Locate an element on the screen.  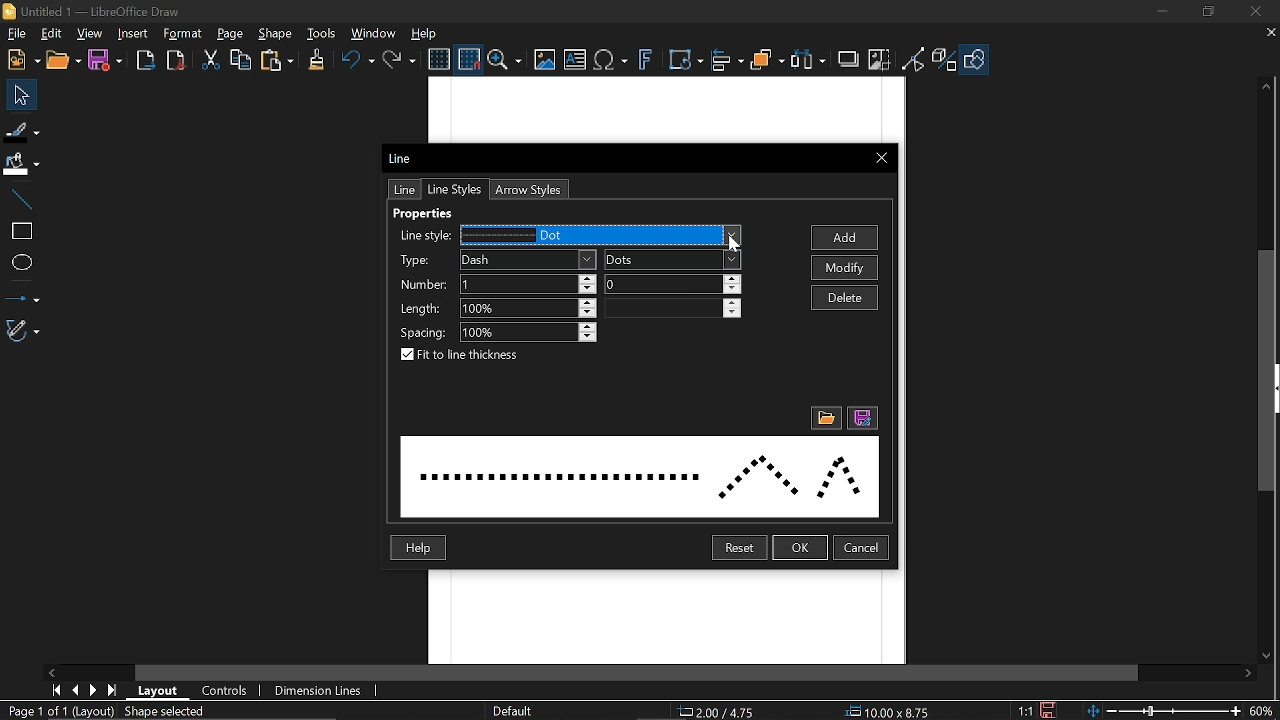
New is located at coordinates (21, 61).